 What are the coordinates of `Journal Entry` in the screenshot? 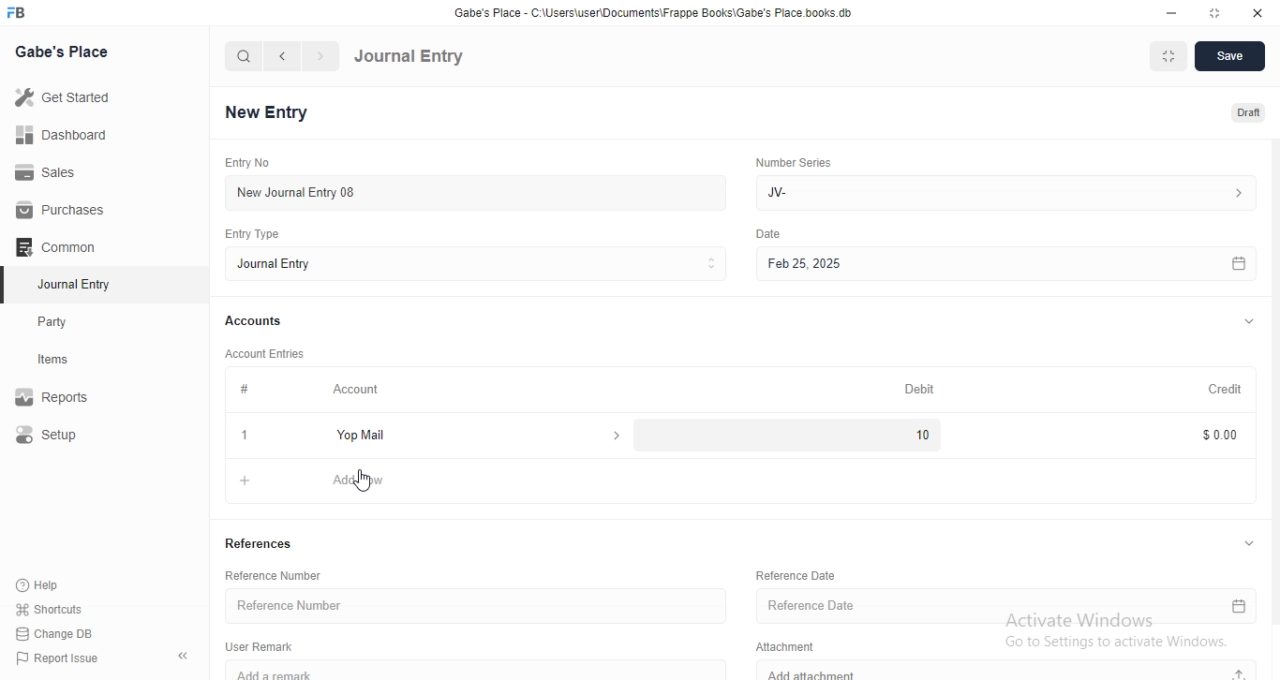 It's located at (410, 57).